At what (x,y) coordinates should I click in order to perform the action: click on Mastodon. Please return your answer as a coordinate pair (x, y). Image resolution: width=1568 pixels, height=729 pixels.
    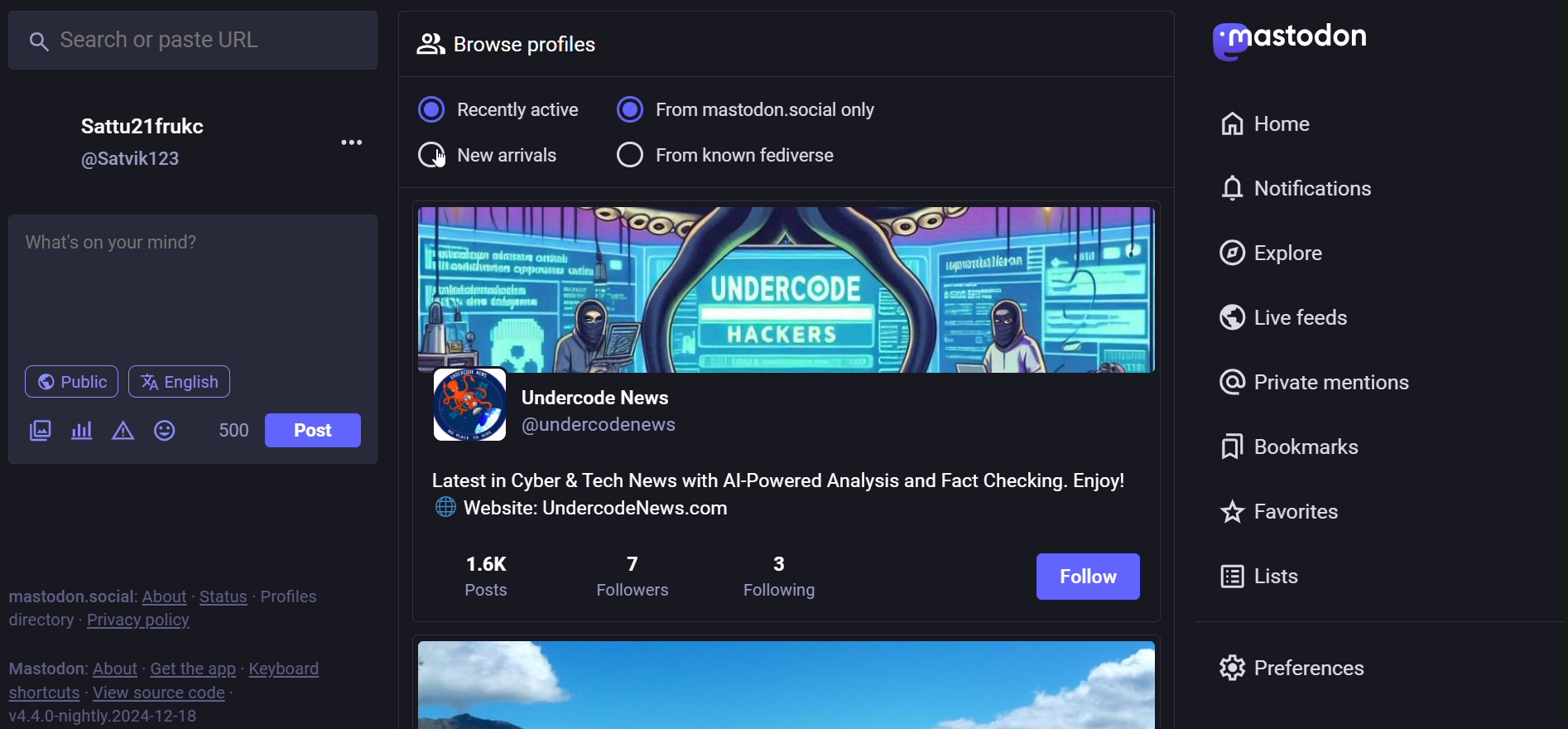
    Looking at the image, I should click on (1315, 38).